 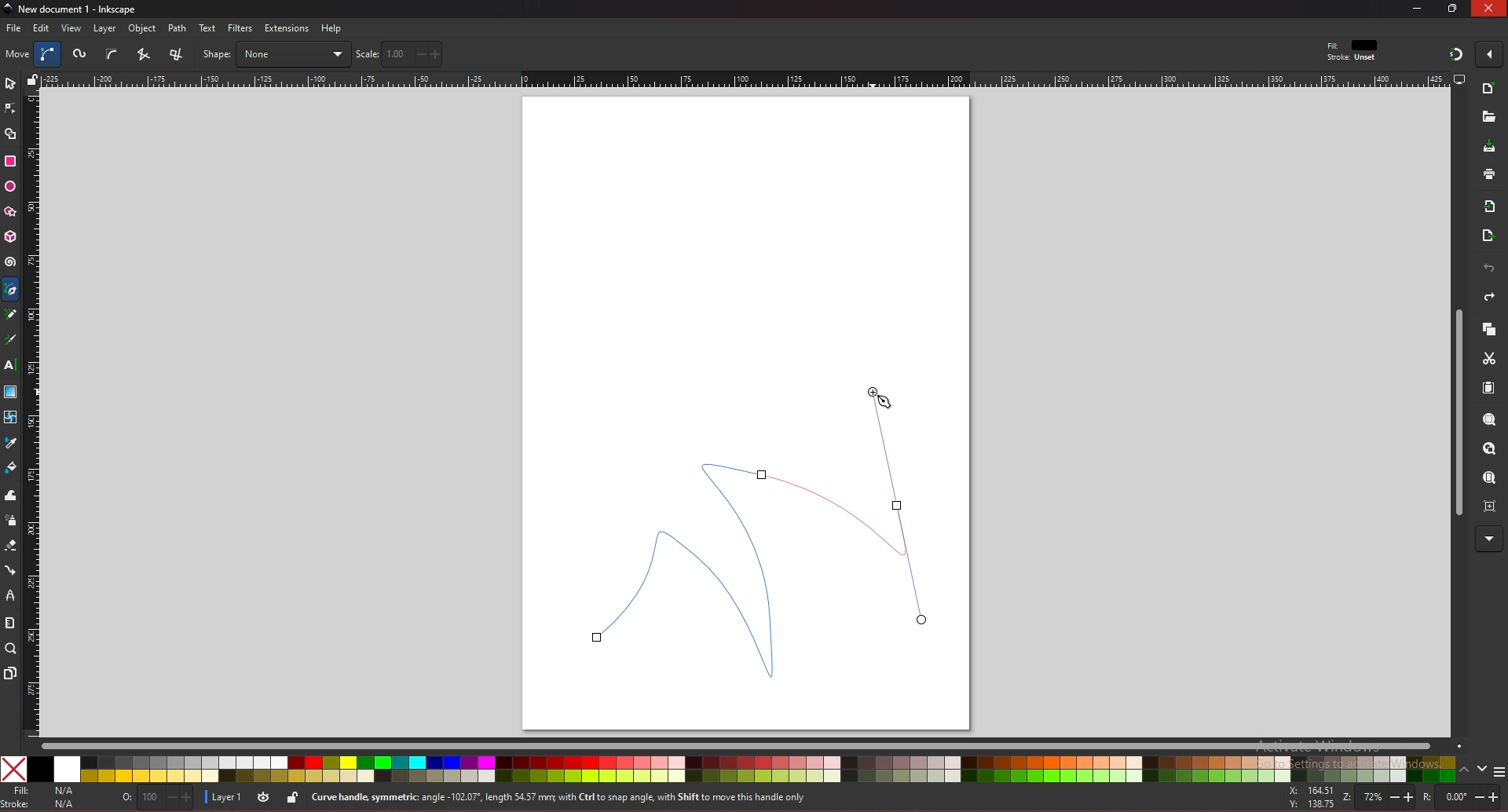 What do you see at coordinates (11, 444) in the screenshot?
I see `dropper` at bounding box center [11, 444].